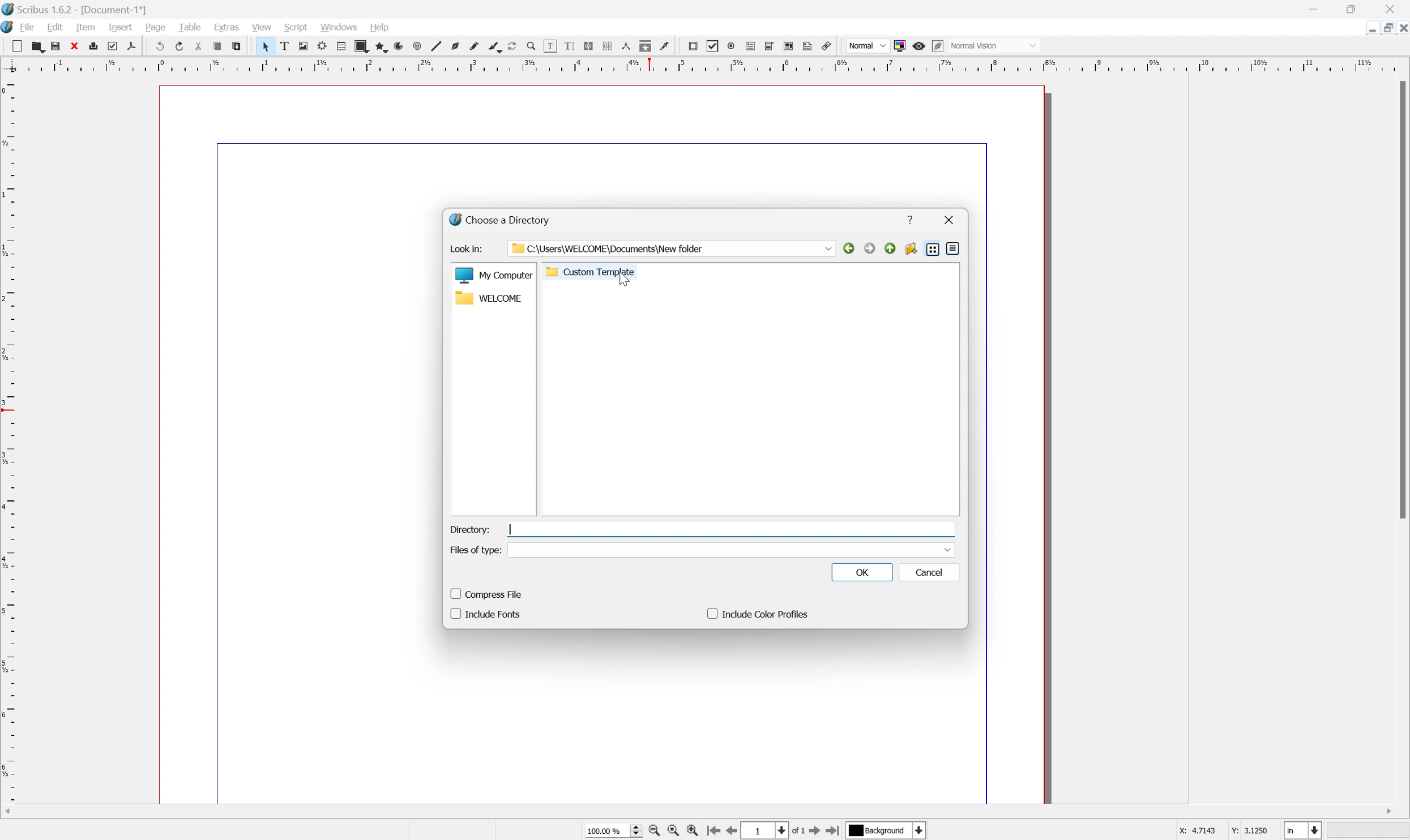 This screenshot has height=840, width=1410. What do you see at coordinates (110, 46) in the screenshot?
I see `preflight verifier` at bounding box center [110, 46].